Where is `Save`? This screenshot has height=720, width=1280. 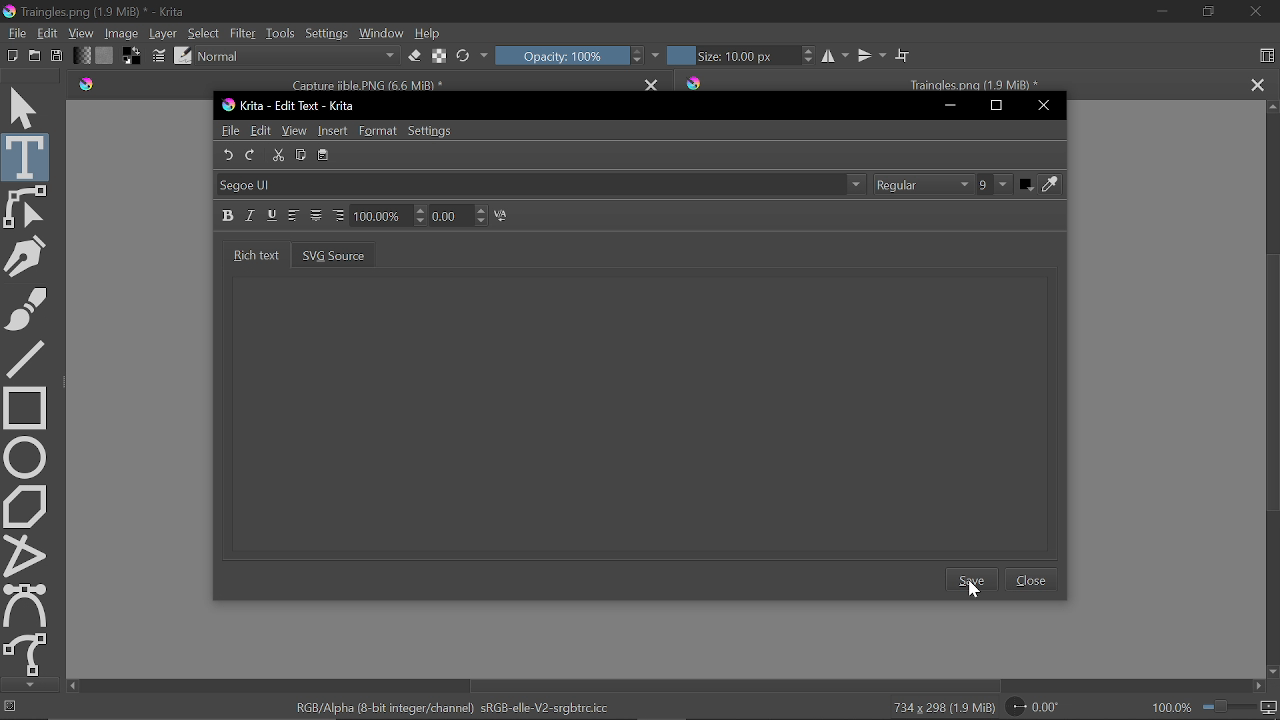 Save is located at coordinates (975, 581).